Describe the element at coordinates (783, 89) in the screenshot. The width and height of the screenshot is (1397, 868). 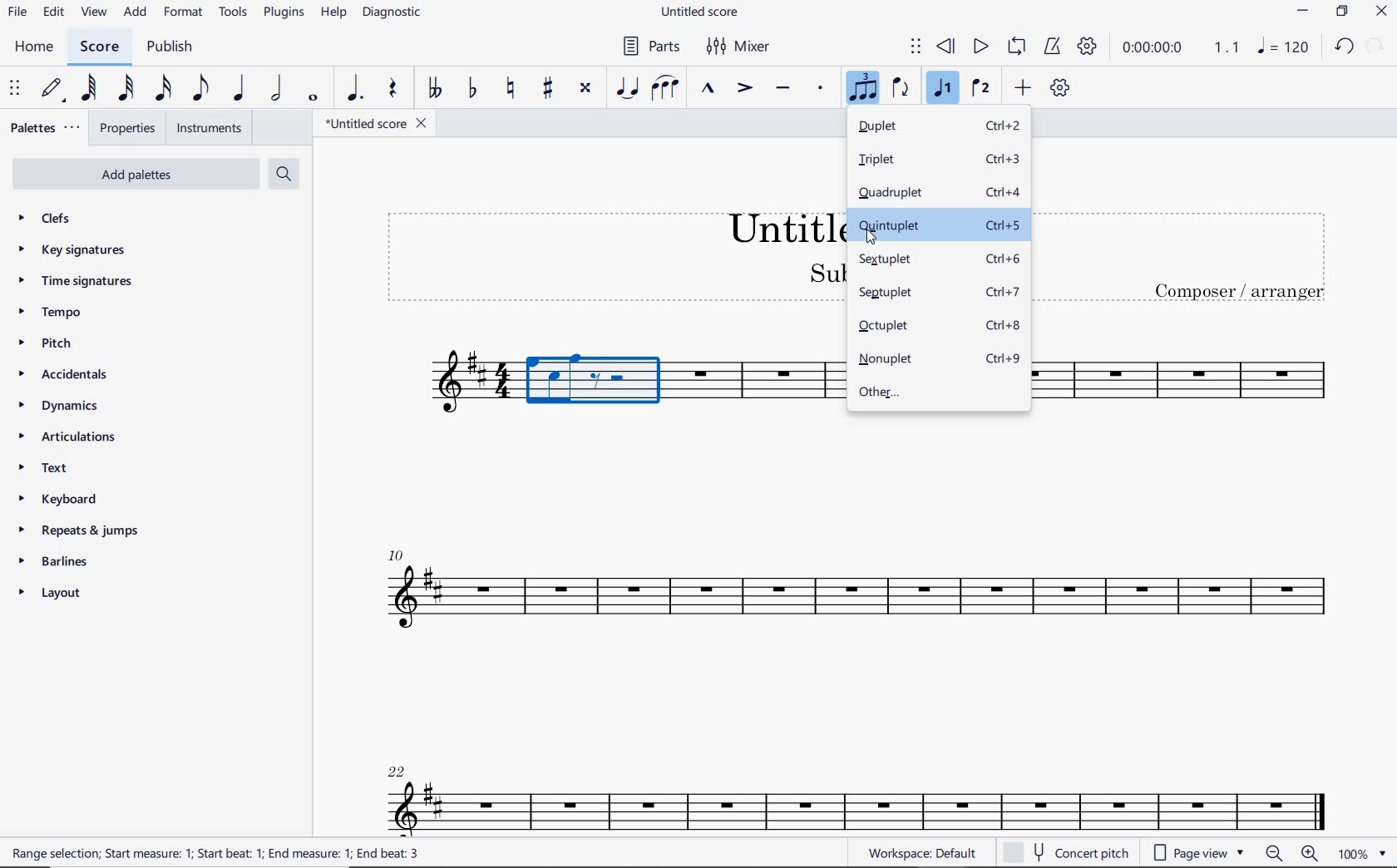
I see `TENUTO` at that location.